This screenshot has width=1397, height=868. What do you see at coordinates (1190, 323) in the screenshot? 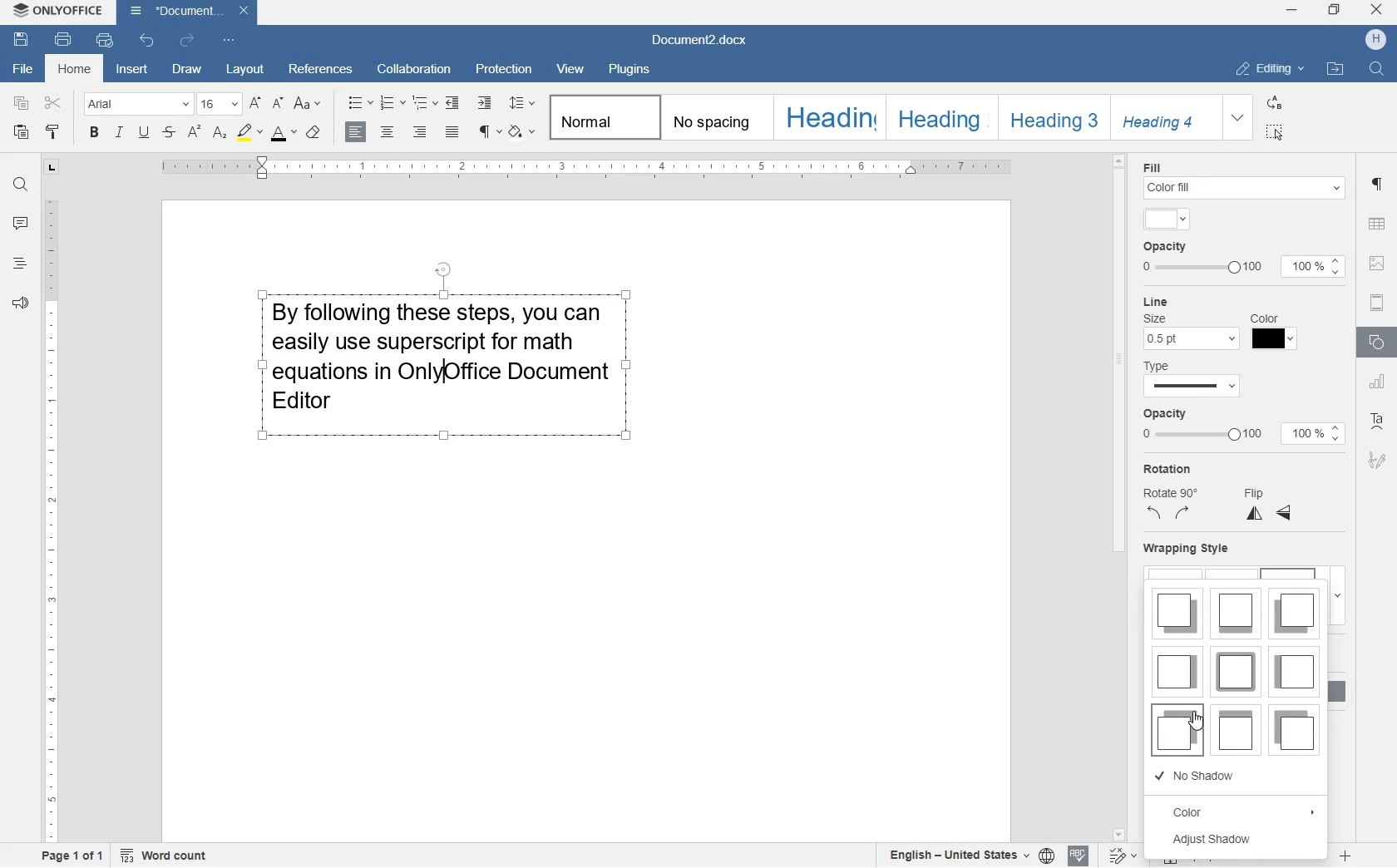
I see `line size` at bounding box center [1190, 323].